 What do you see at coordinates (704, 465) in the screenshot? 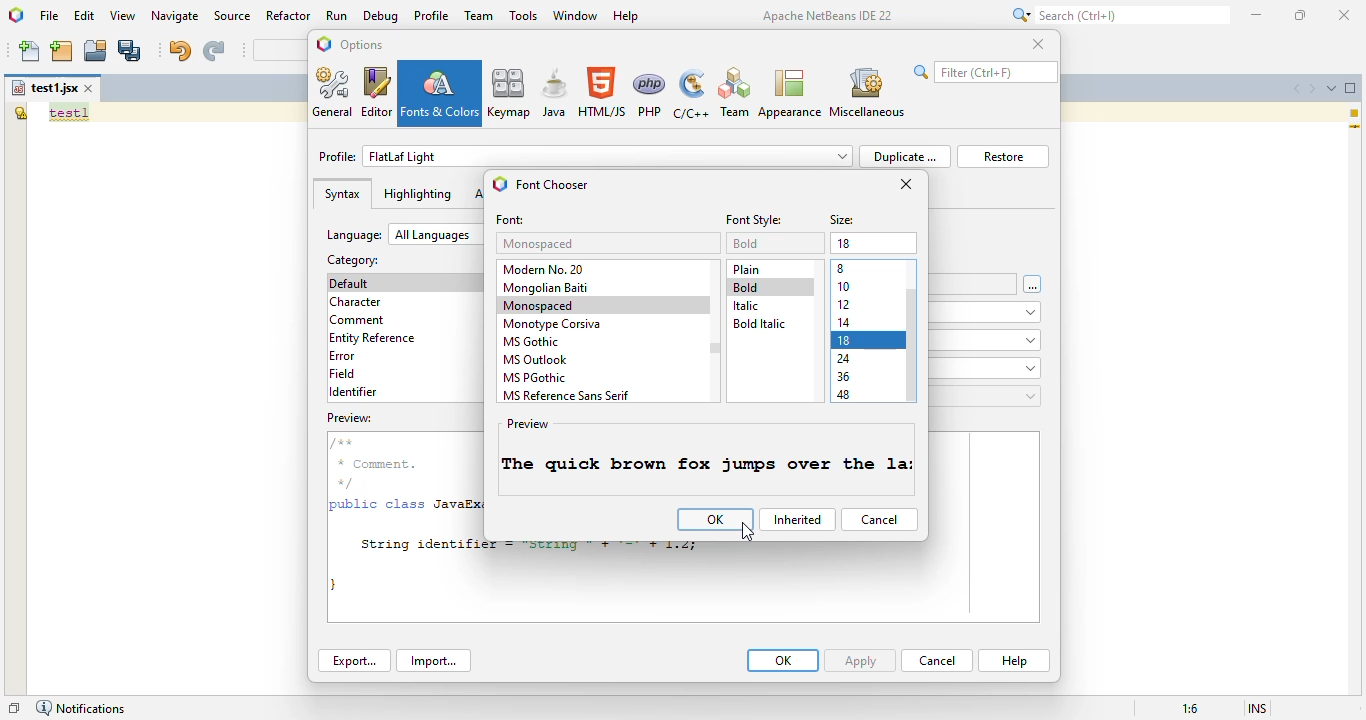
I see `font size changed to 18` at bounding box center [704, 465].